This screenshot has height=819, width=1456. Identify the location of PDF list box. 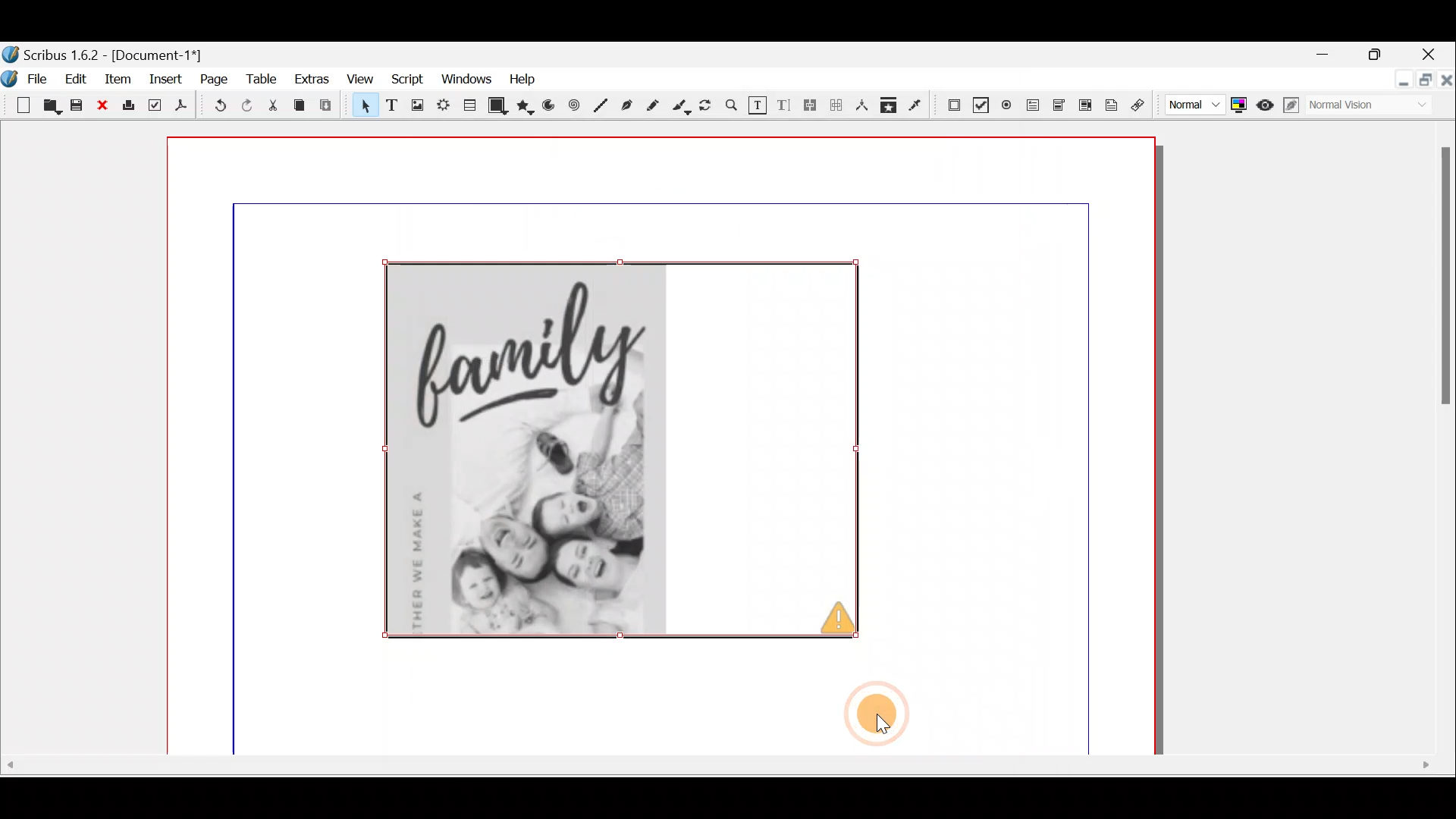
(1084, 108).